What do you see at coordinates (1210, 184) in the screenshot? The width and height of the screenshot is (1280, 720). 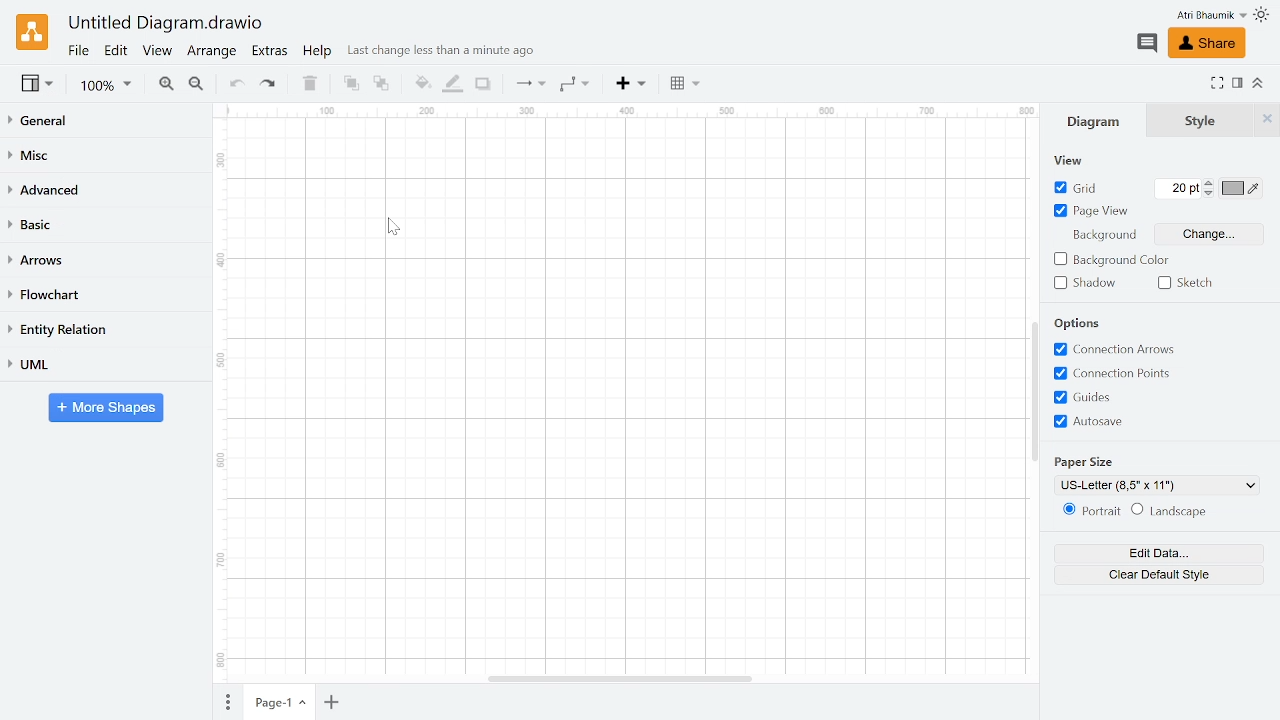 I see `Increase grid pt` at bounding box center [1210, 184].